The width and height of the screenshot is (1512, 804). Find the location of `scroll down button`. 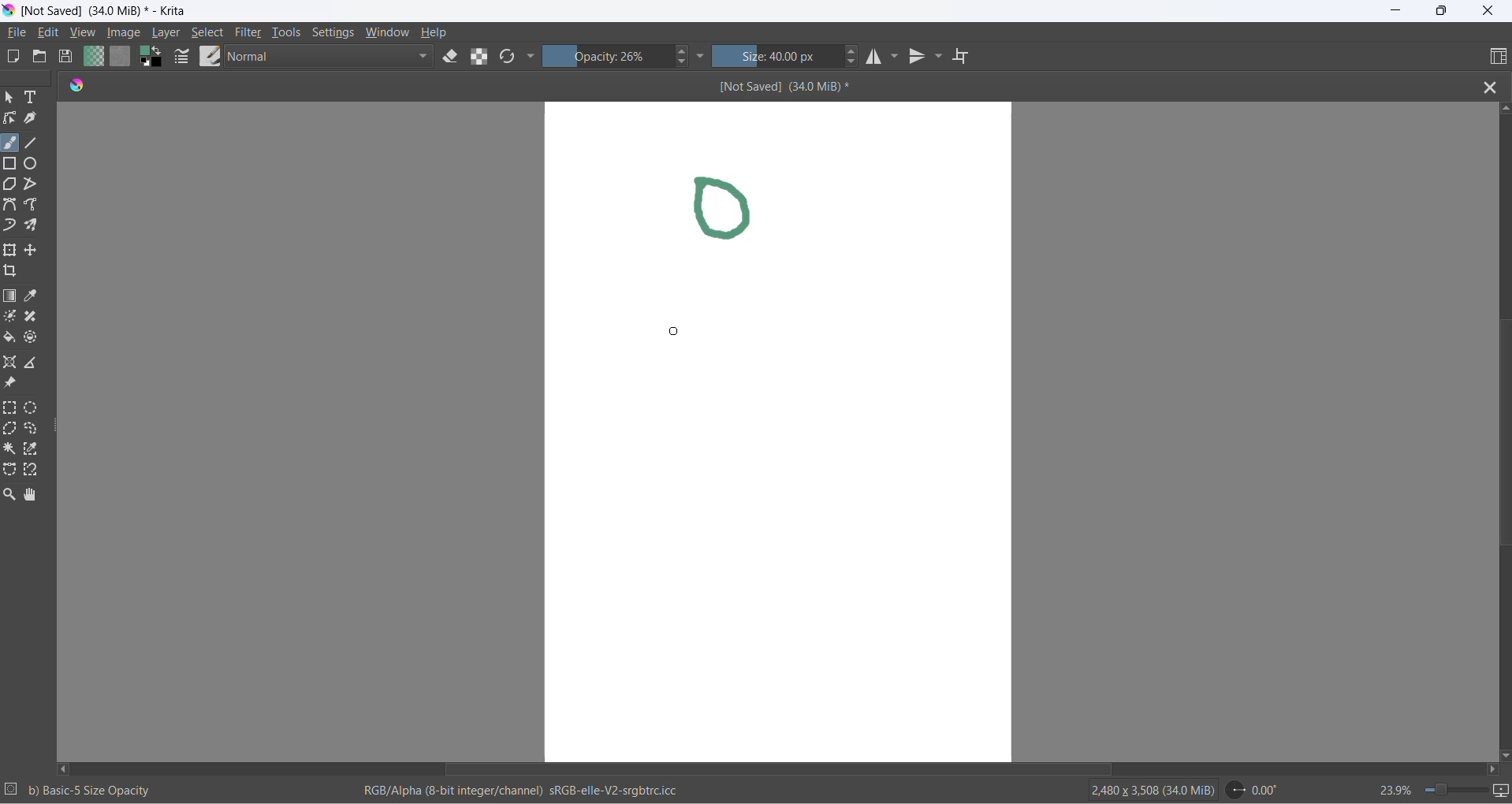

scroll down button is located at coordinates (1503, 754).